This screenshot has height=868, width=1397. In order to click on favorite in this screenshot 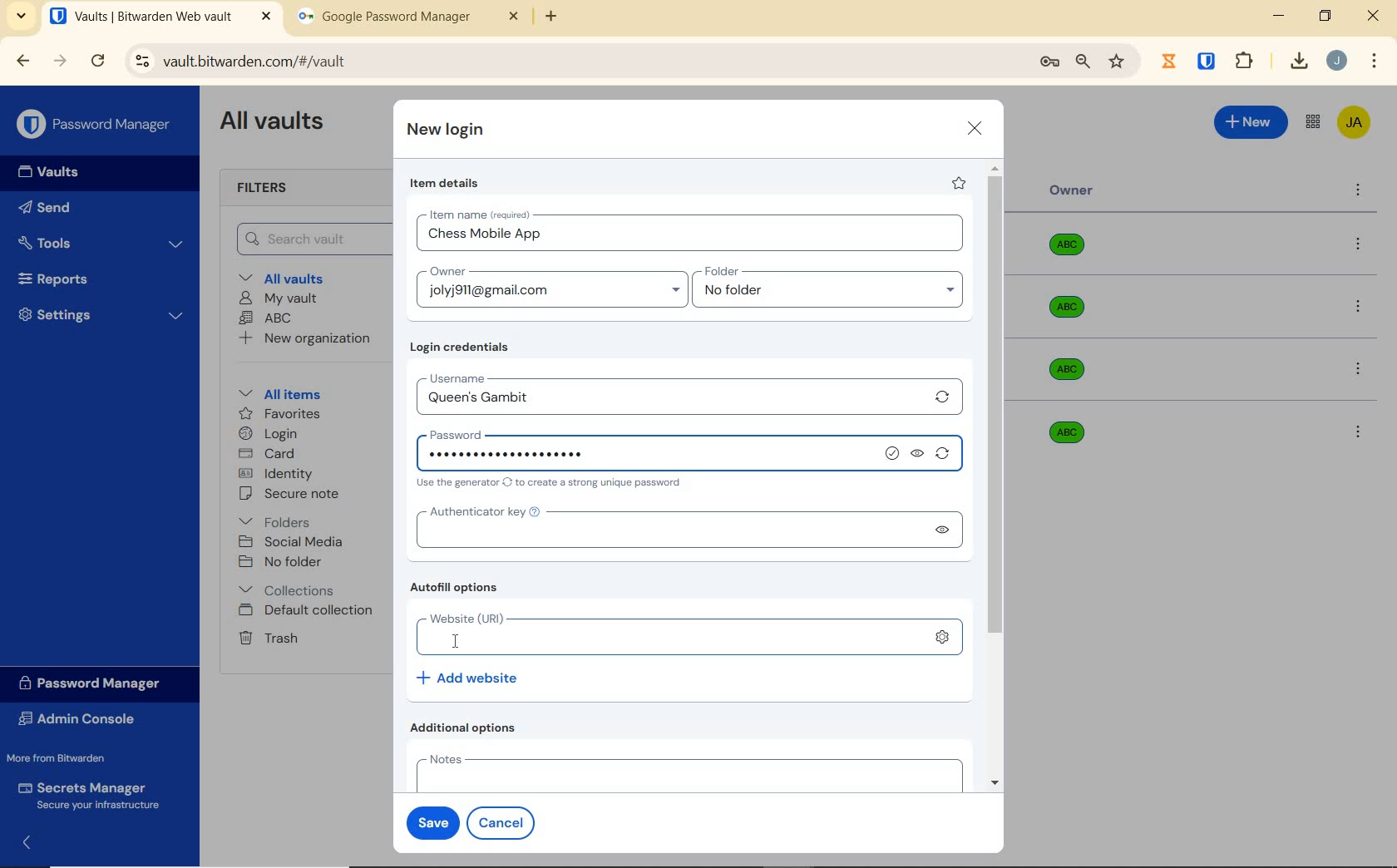, I will do `click(957, 183)`.